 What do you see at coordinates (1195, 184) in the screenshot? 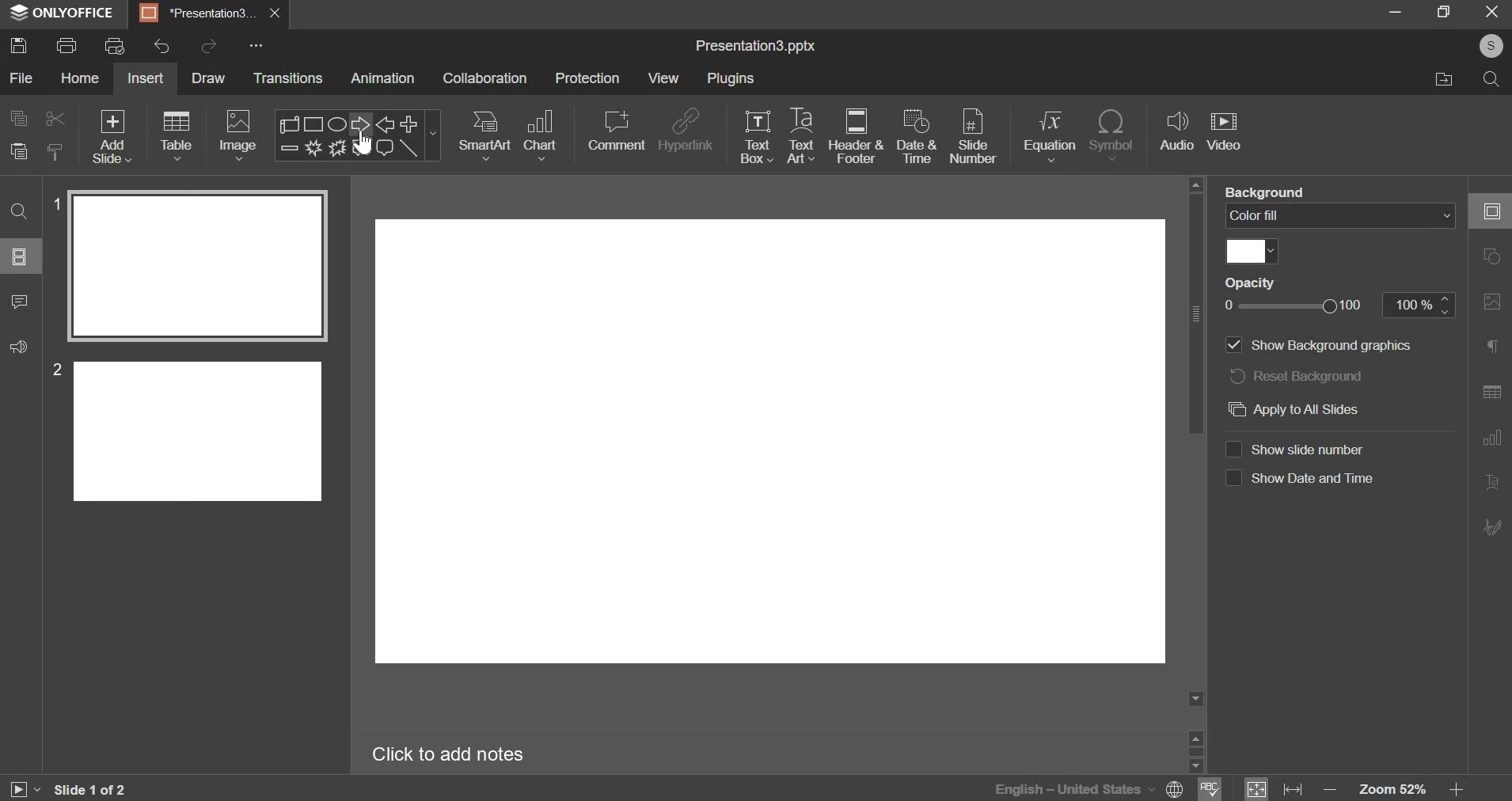
I see `Scroll up` at bounding box center [1195, 184].